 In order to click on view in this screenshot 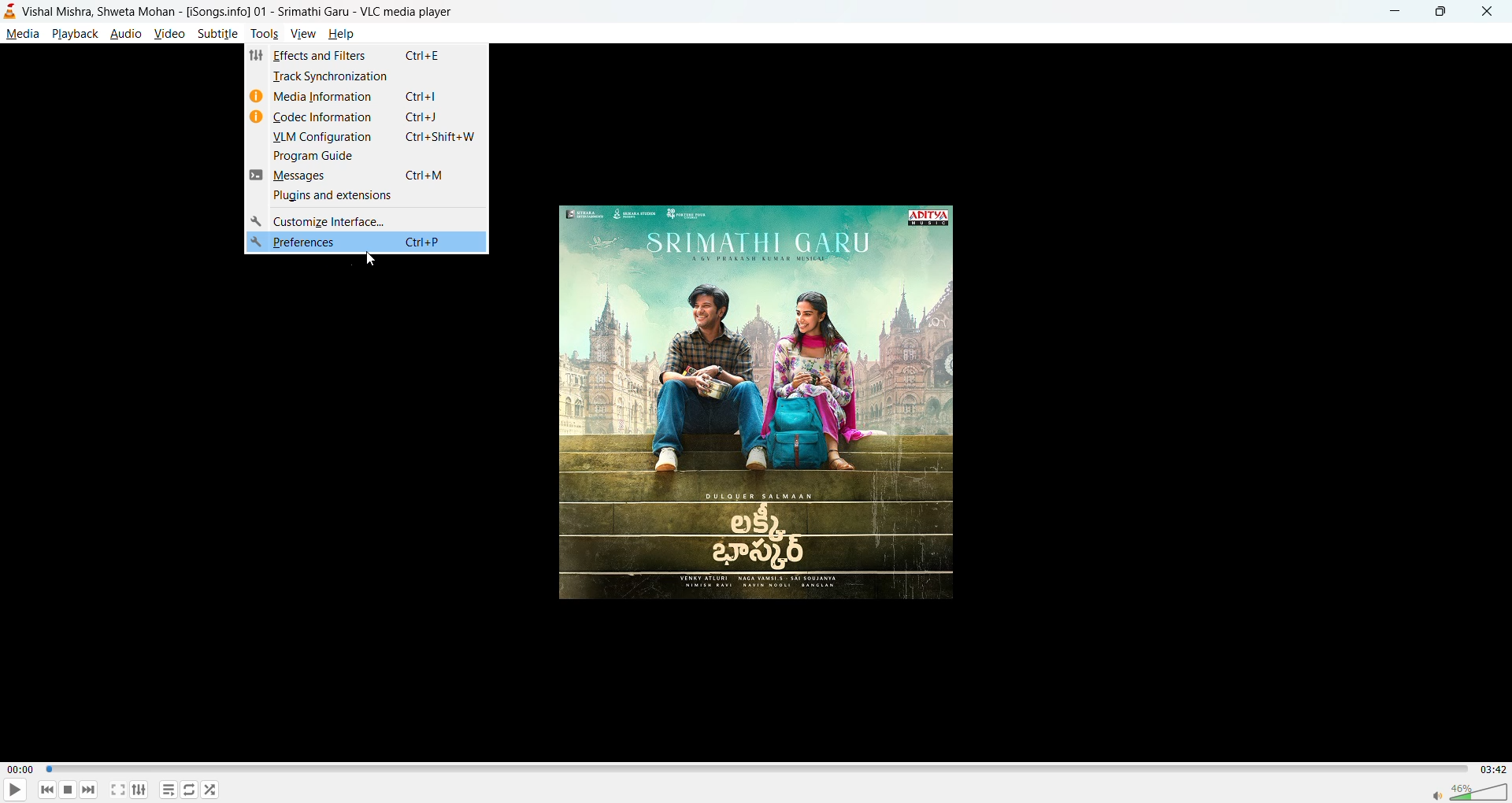, I will do `click(302, 31)`.